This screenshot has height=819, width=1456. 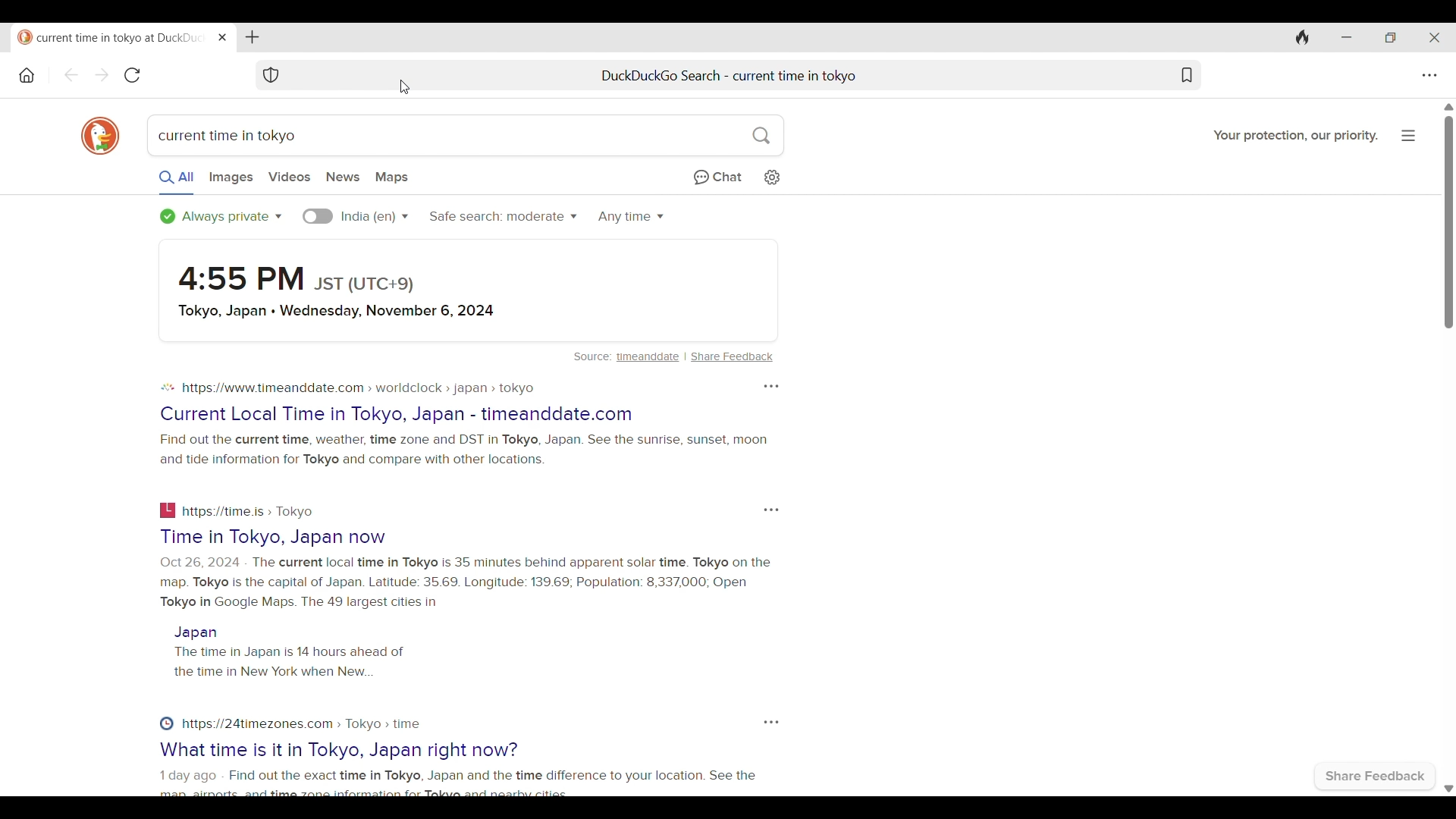 What do you see at coordinates (397, 416) in the screenshot?
I see `Current Local Time in Tokyo, Japan - timeanddate.com` at bounding box center [397, 416].